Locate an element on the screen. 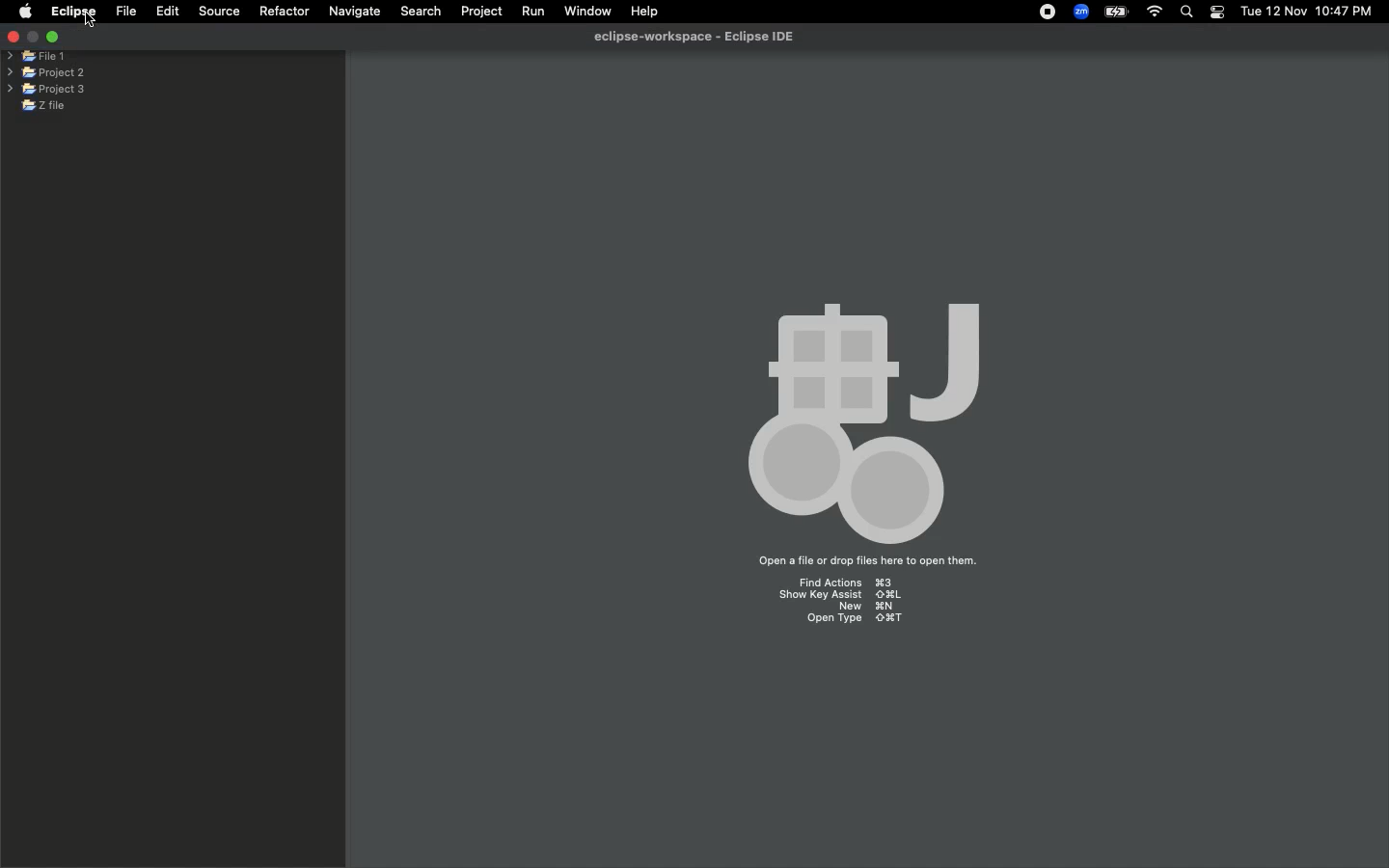 The height and width of the screenshot is (868, 1389). Charge is located at coordinates (1119, 11).